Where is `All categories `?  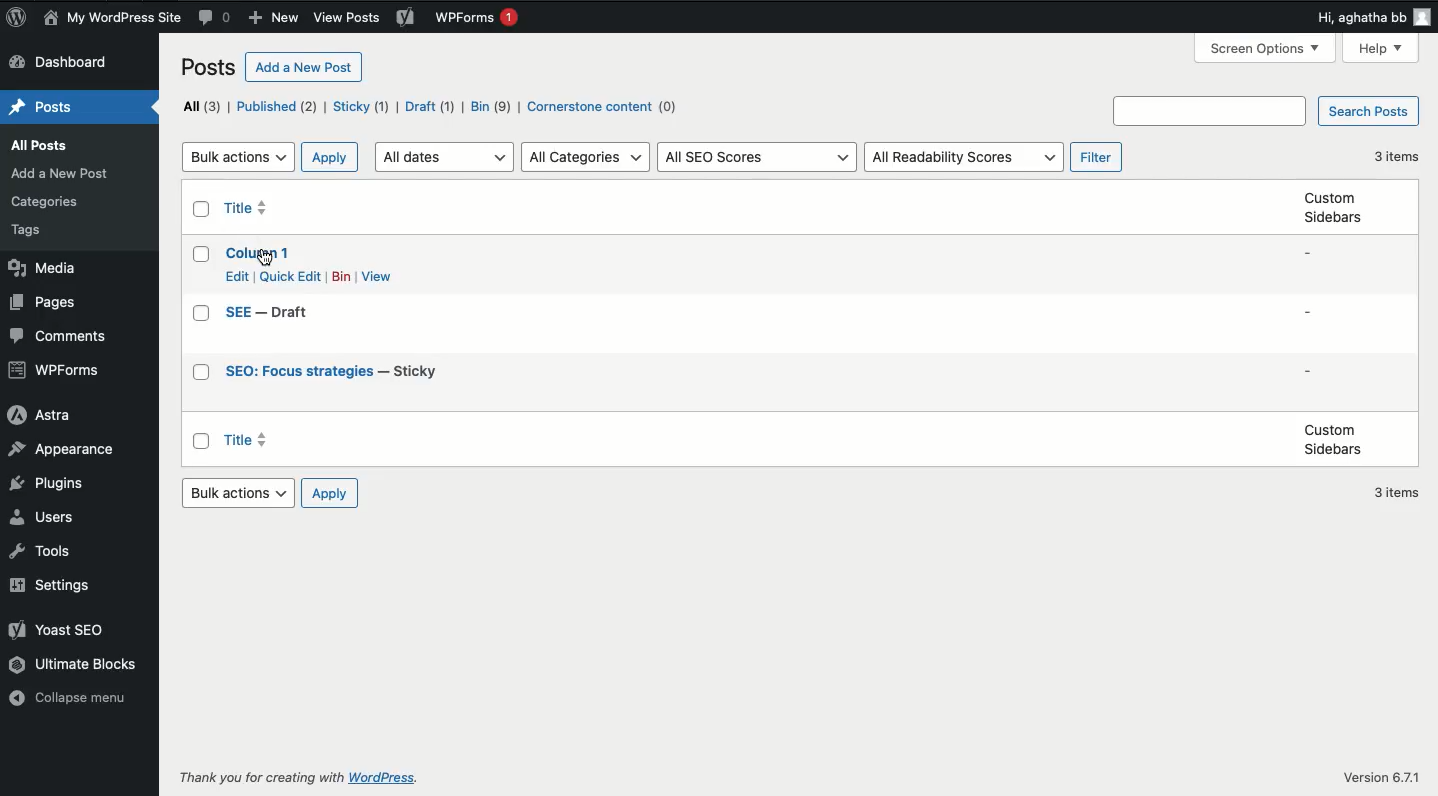 All categories  is located at coordinates (586, 157).